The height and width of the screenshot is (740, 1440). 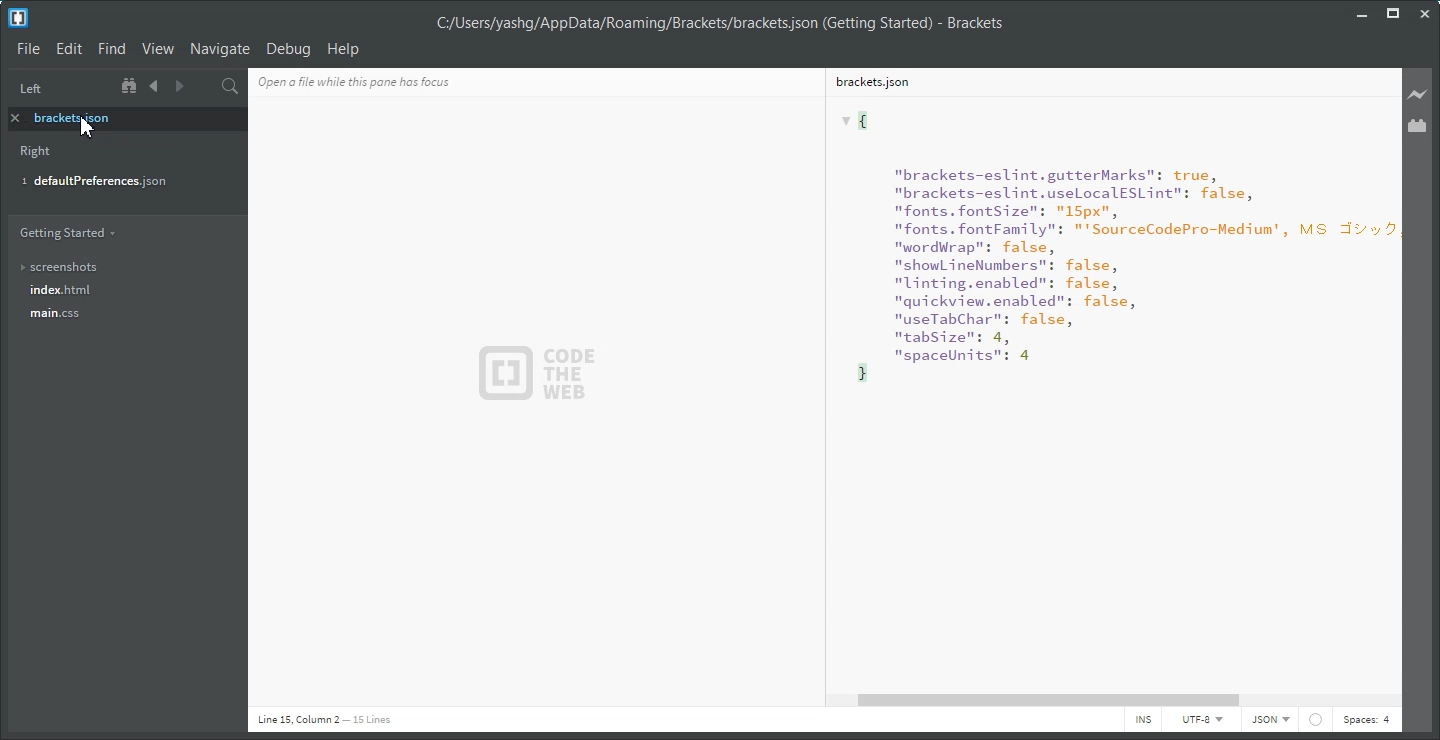 I want to click on defaultpreferences.json, so click(x=114, y=183).